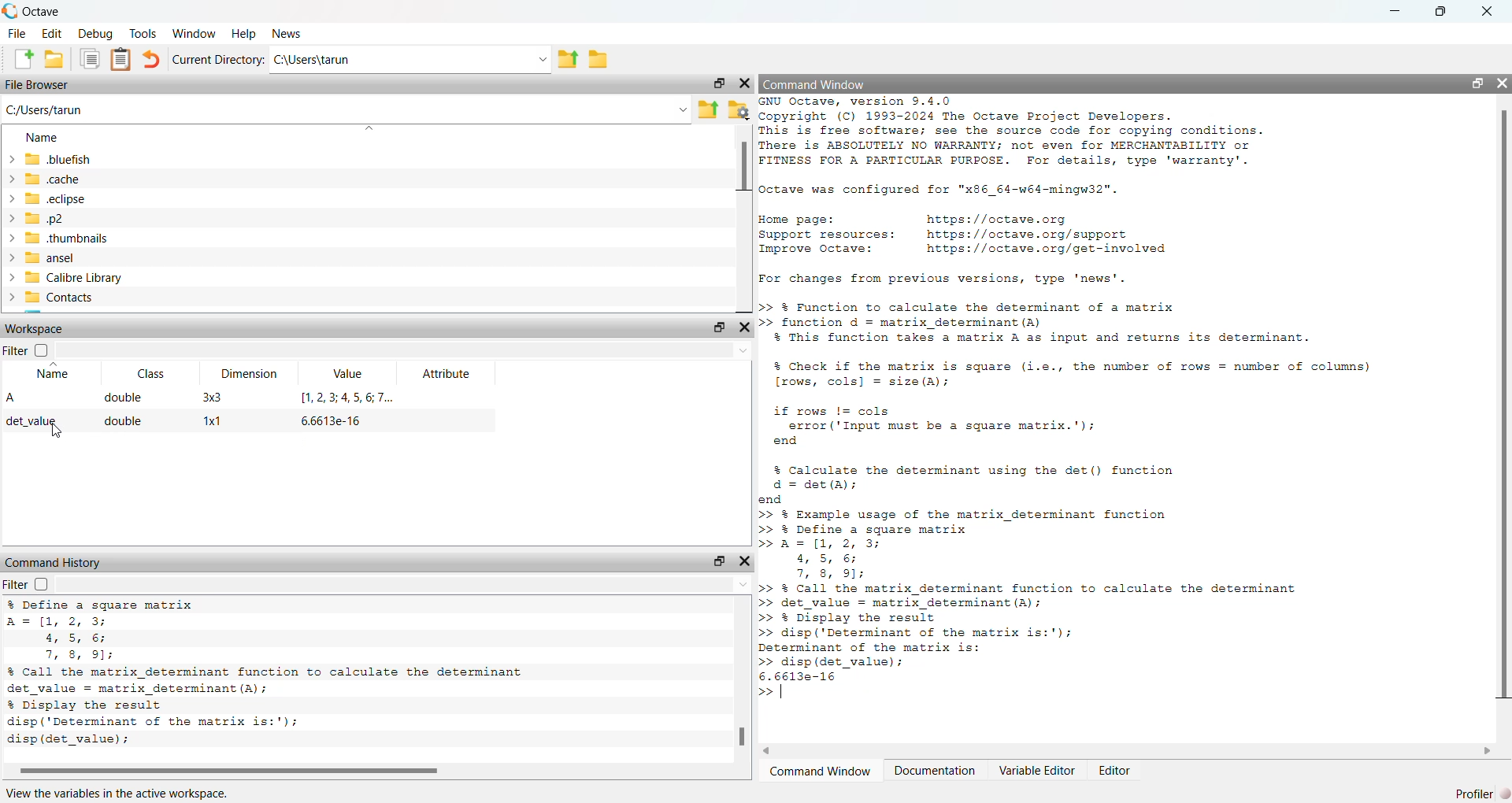  Describe the element at coordinates (446, 373) in the screenshot. I see `attribute` at that location.